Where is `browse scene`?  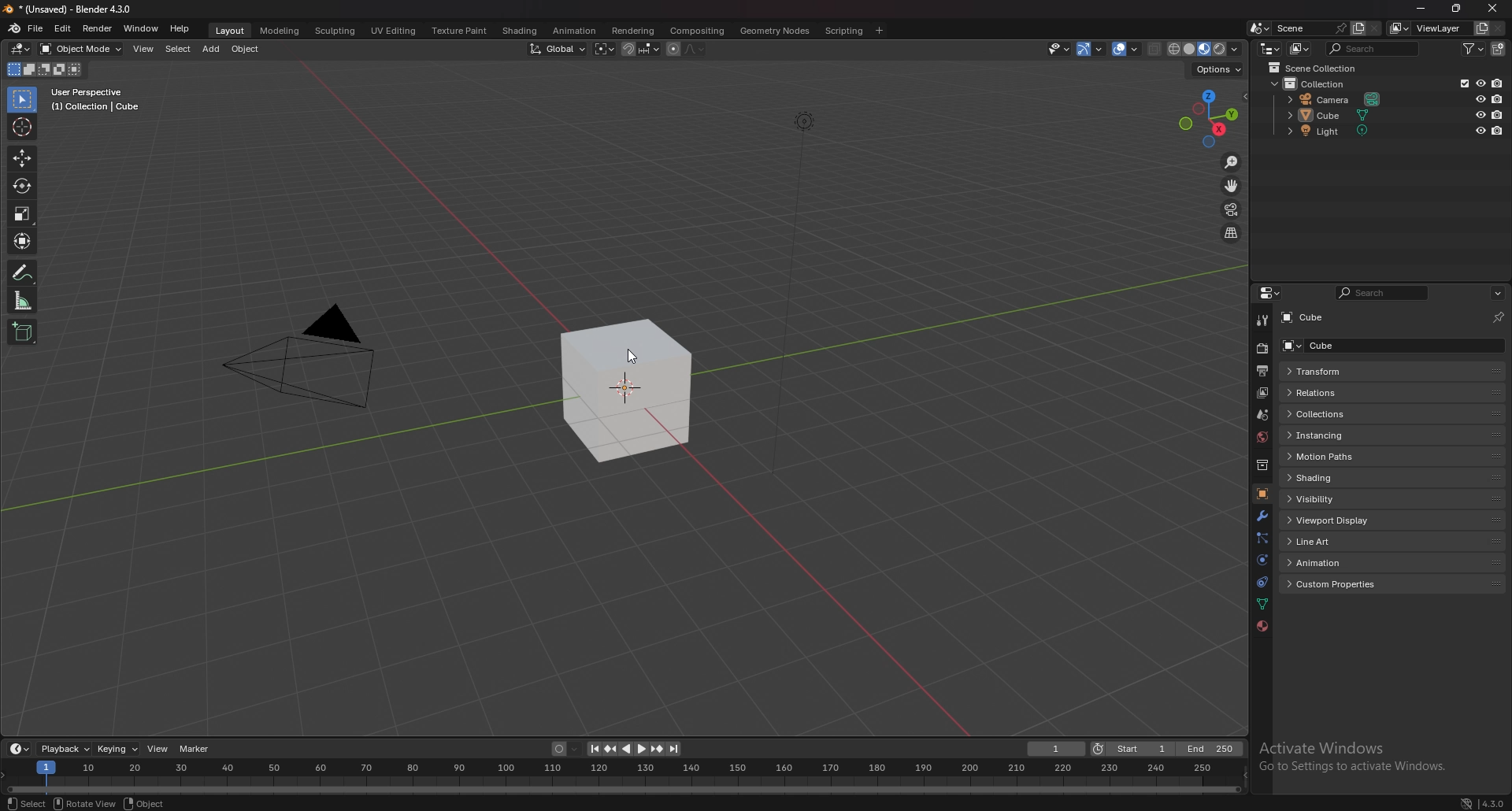
browse scene is located at coordinates (1260, 28).